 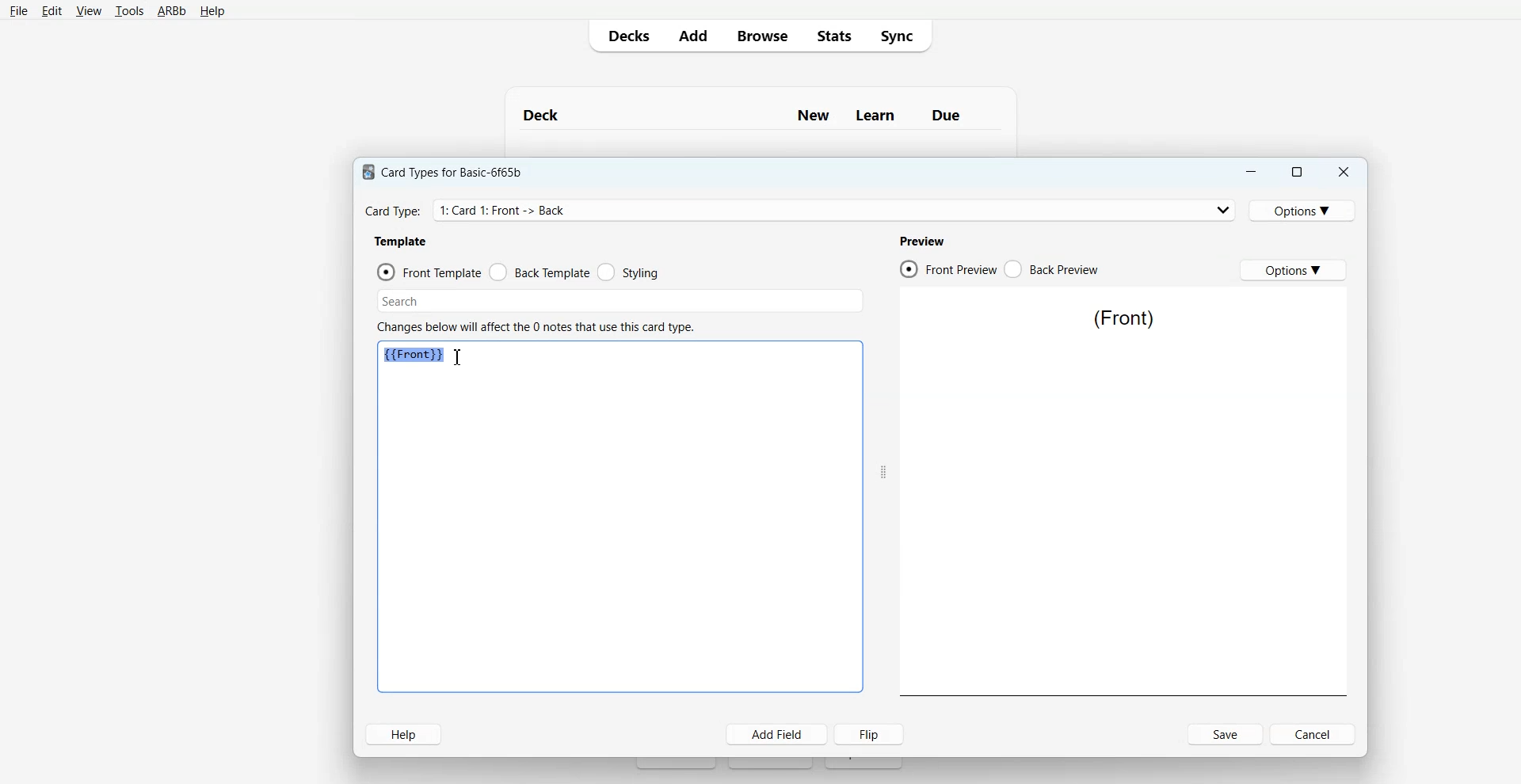 I want to click on Styling, so click(x=628, y=272).